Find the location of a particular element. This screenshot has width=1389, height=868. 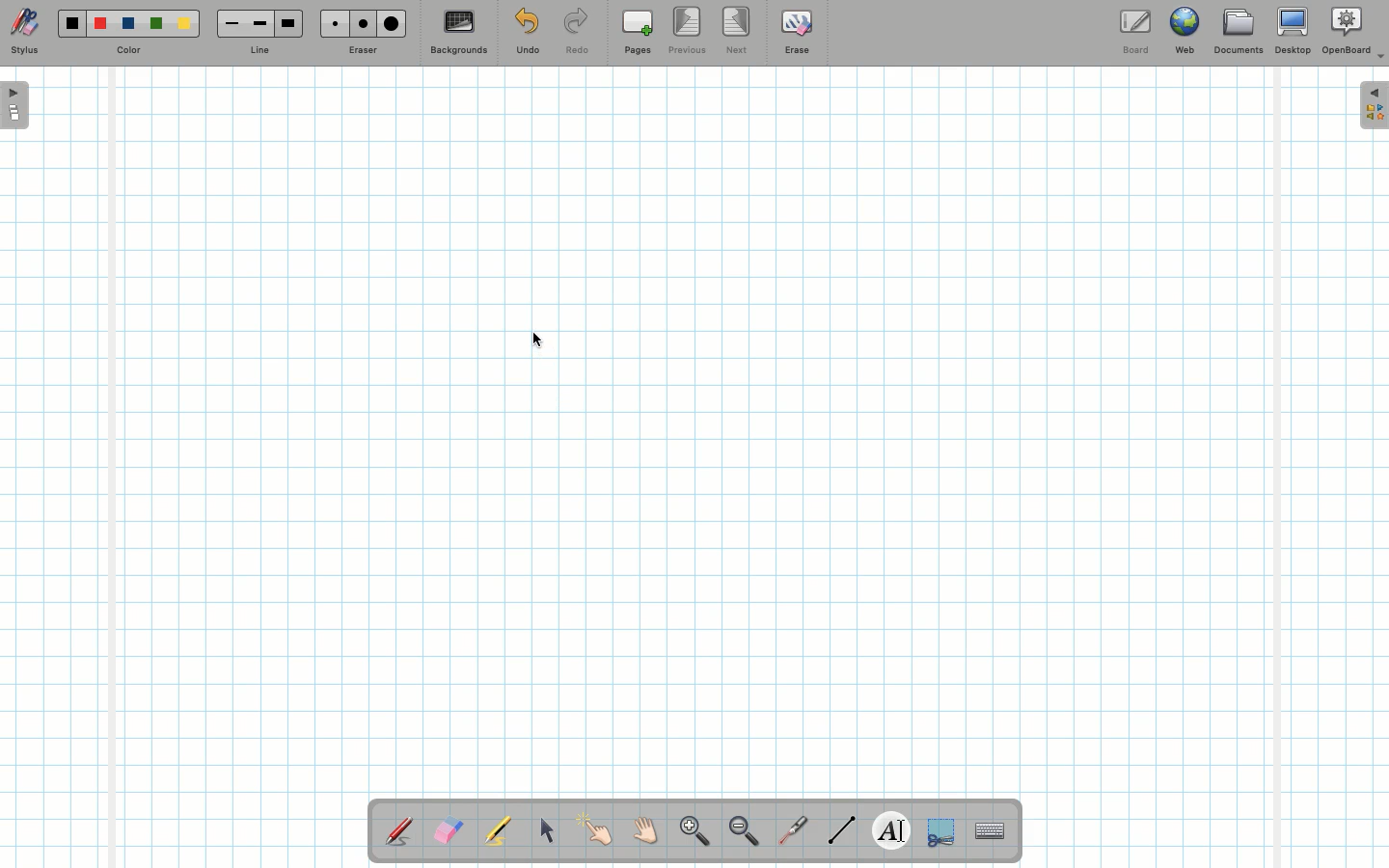

Stylus is located at coordinates (400, 830).